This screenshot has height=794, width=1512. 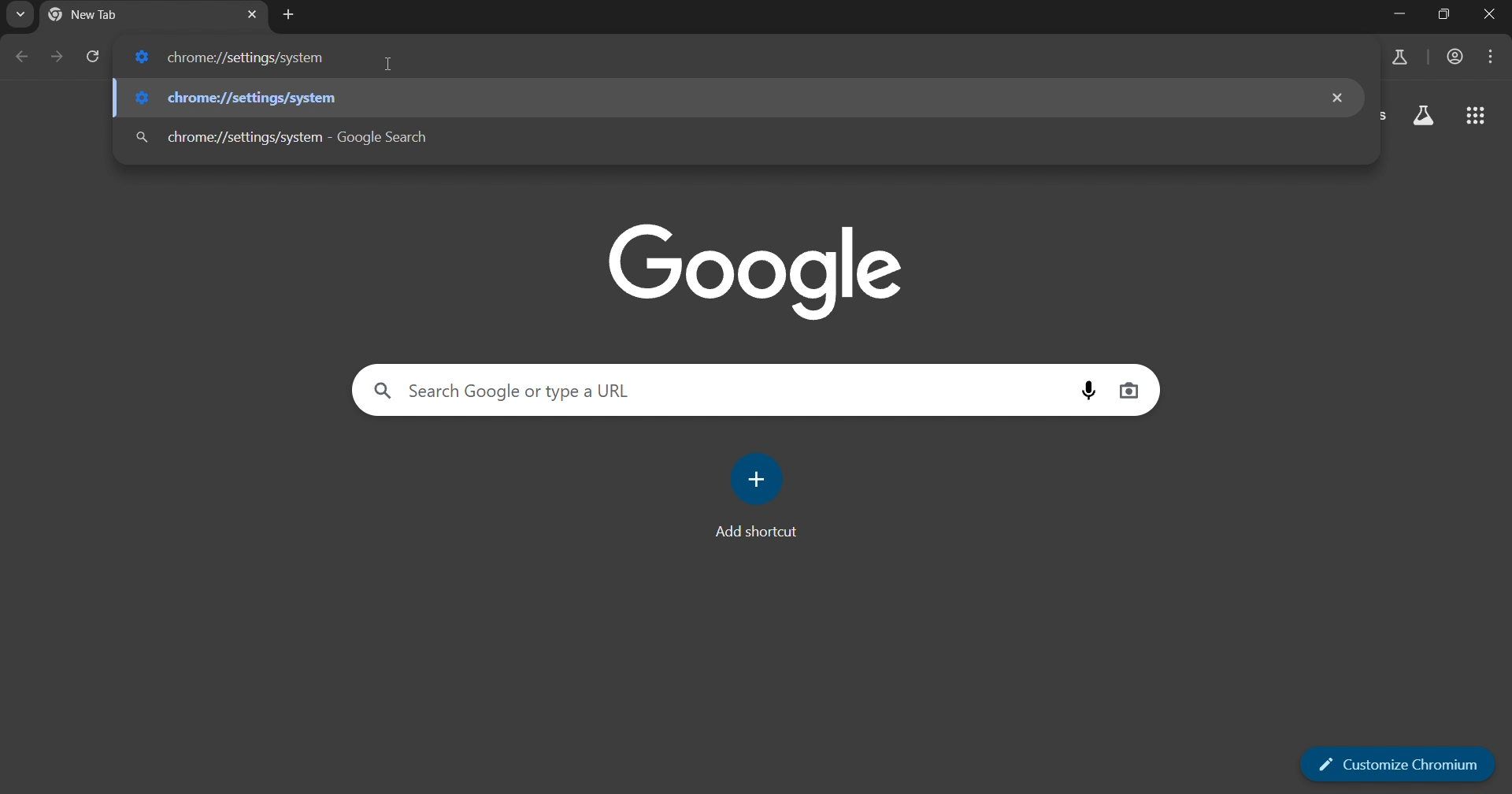 I want to click on Minimize, so click(x=1396, y=17).